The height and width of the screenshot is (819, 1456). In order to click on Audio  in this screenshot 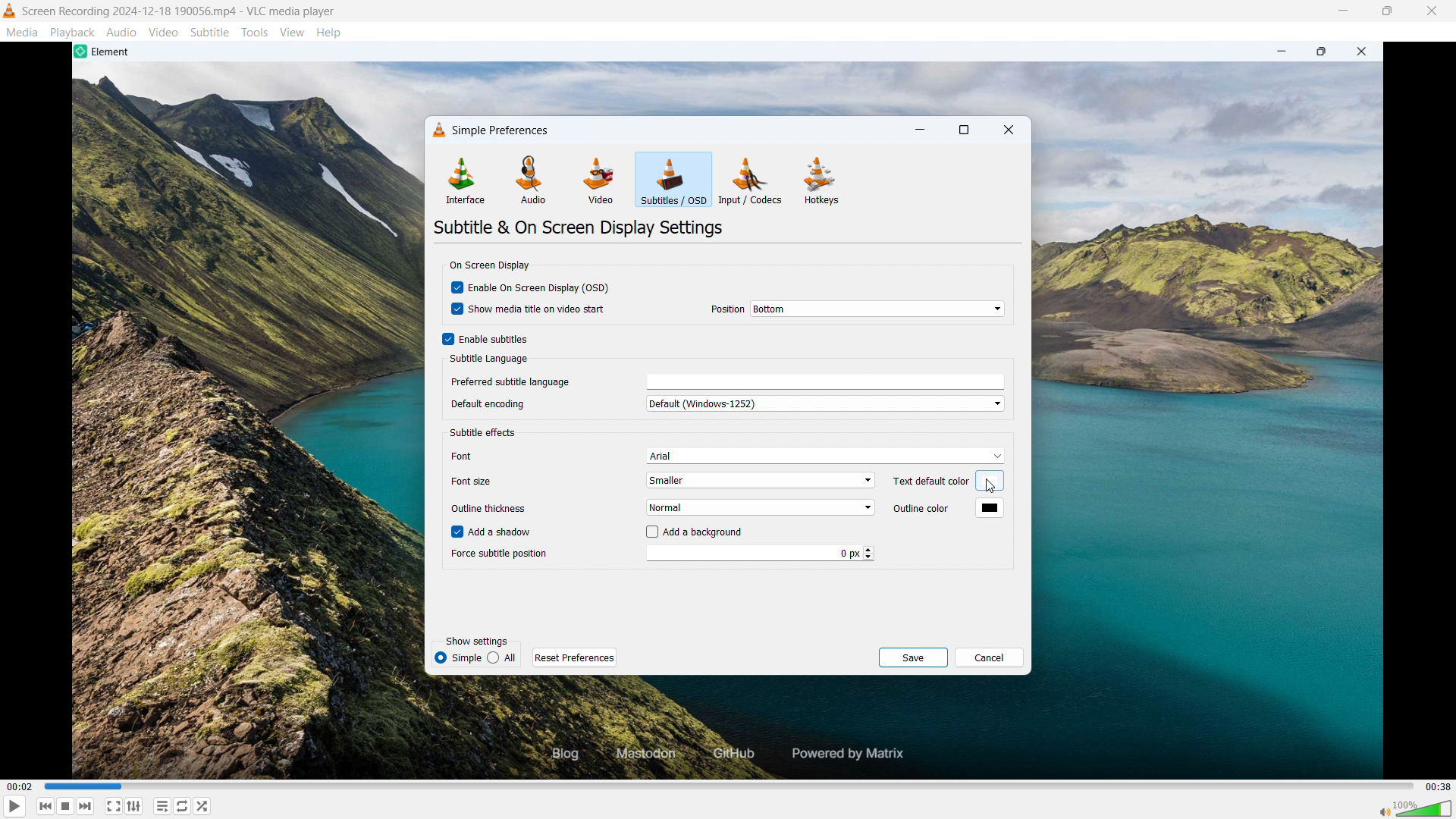, I will do `click(533, 180)`.